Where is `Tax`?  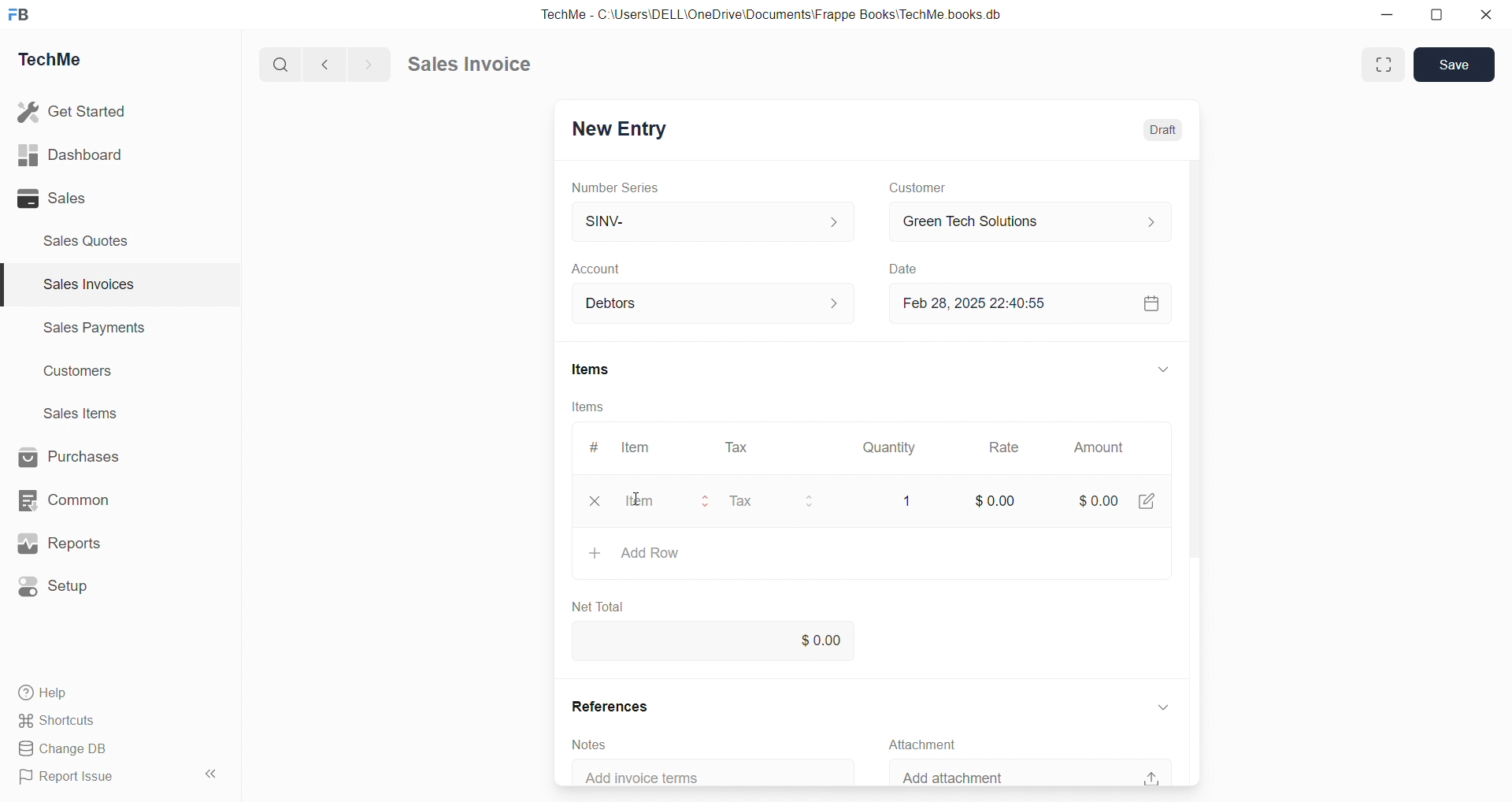 Tax is located at coordinates (736, 448).